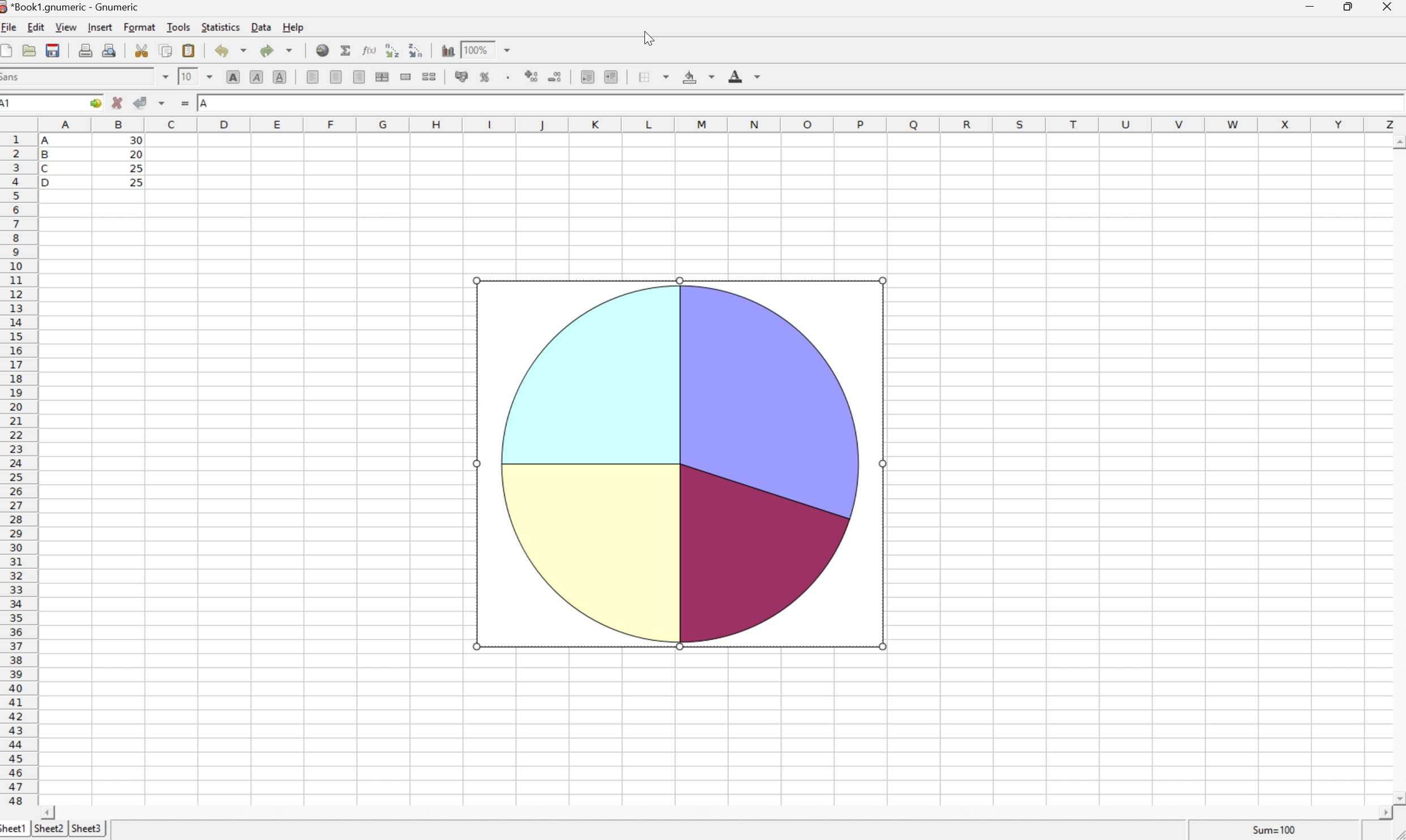 This screenshot has height=840, width=1406. What do you see at coordinates (1351, 6) in the screenshot?
I see `Restore Down` at bounding box center [1351, 6].